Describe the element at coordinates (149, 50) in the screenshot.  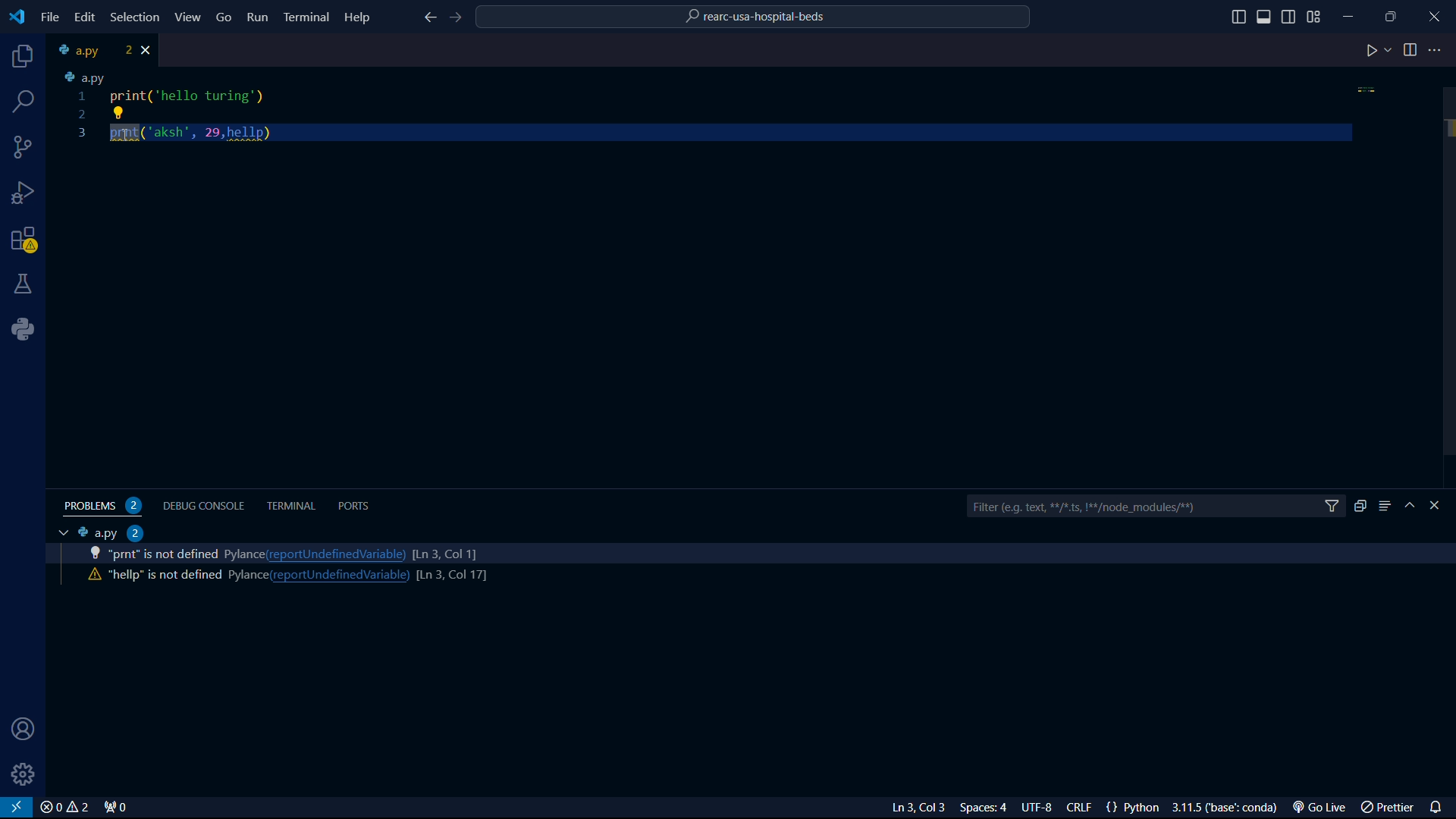
I see `close` at that location.